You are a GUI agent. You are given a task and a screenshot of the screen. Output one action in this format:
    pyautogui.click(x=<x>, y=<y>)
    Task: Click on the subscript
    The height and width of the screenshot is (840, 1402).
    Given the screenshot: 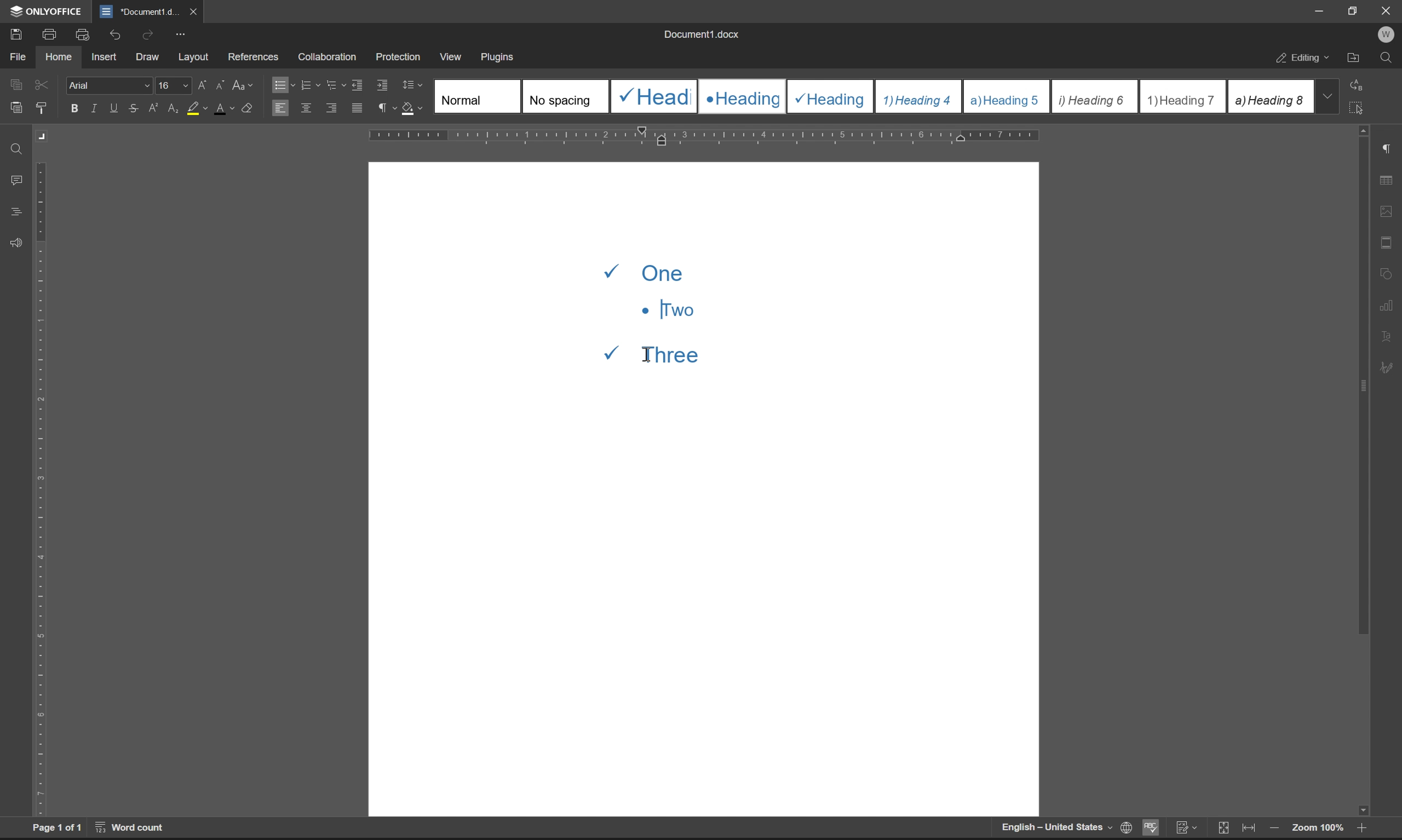 What is the action you would take?
    pyautogui.click(x=174, y=106)
    